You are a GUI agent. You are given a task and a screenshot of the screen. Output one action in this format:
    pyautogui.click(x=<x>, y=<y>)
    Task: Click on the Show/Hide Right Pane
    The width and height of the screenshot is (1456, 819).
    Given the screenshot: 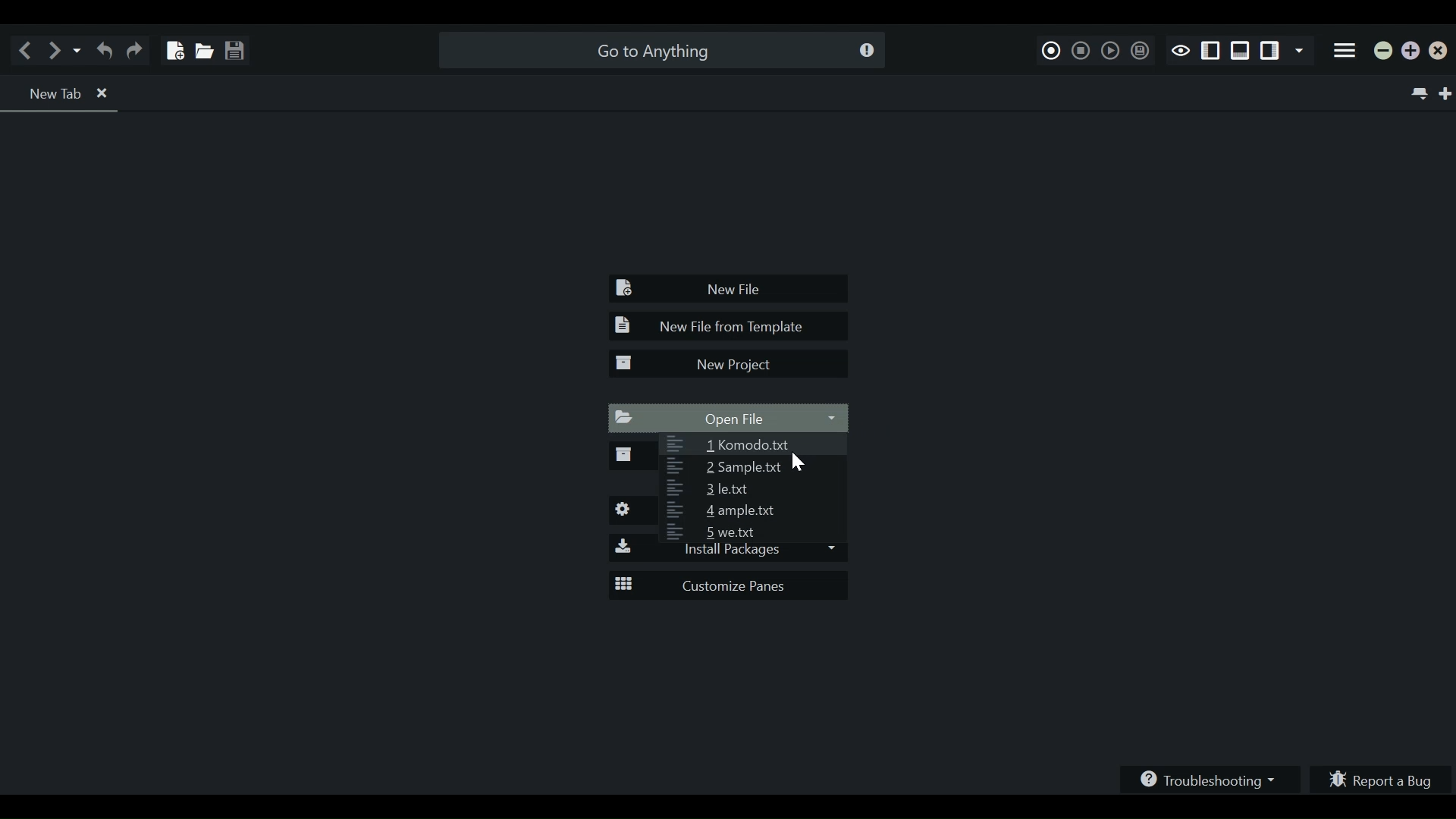 What is the action you would take?
    pyautogui.click(x=1211, y=52)
    